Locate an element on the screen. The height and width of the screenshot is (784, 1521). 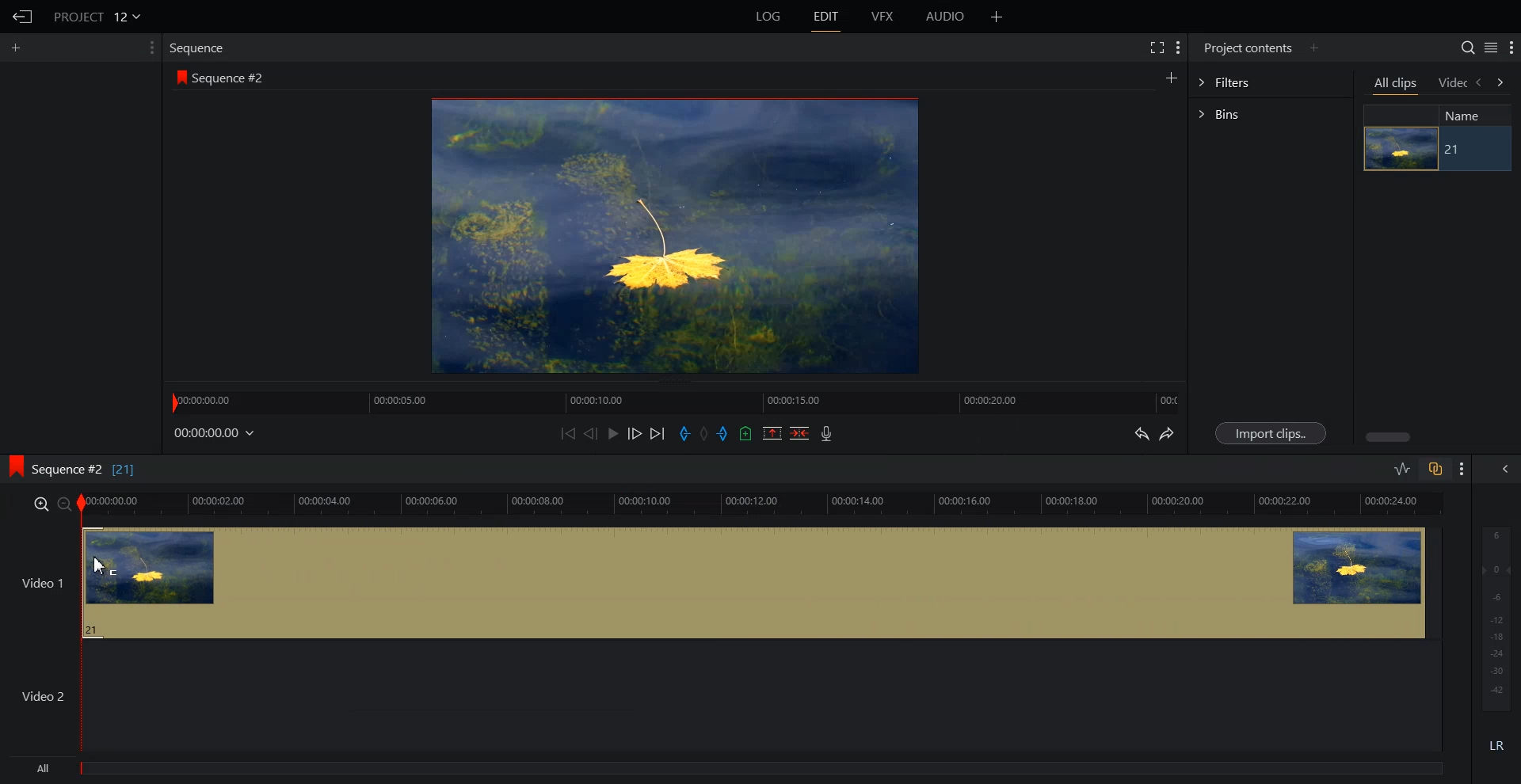
Delete is located at coordinates (799, 432).